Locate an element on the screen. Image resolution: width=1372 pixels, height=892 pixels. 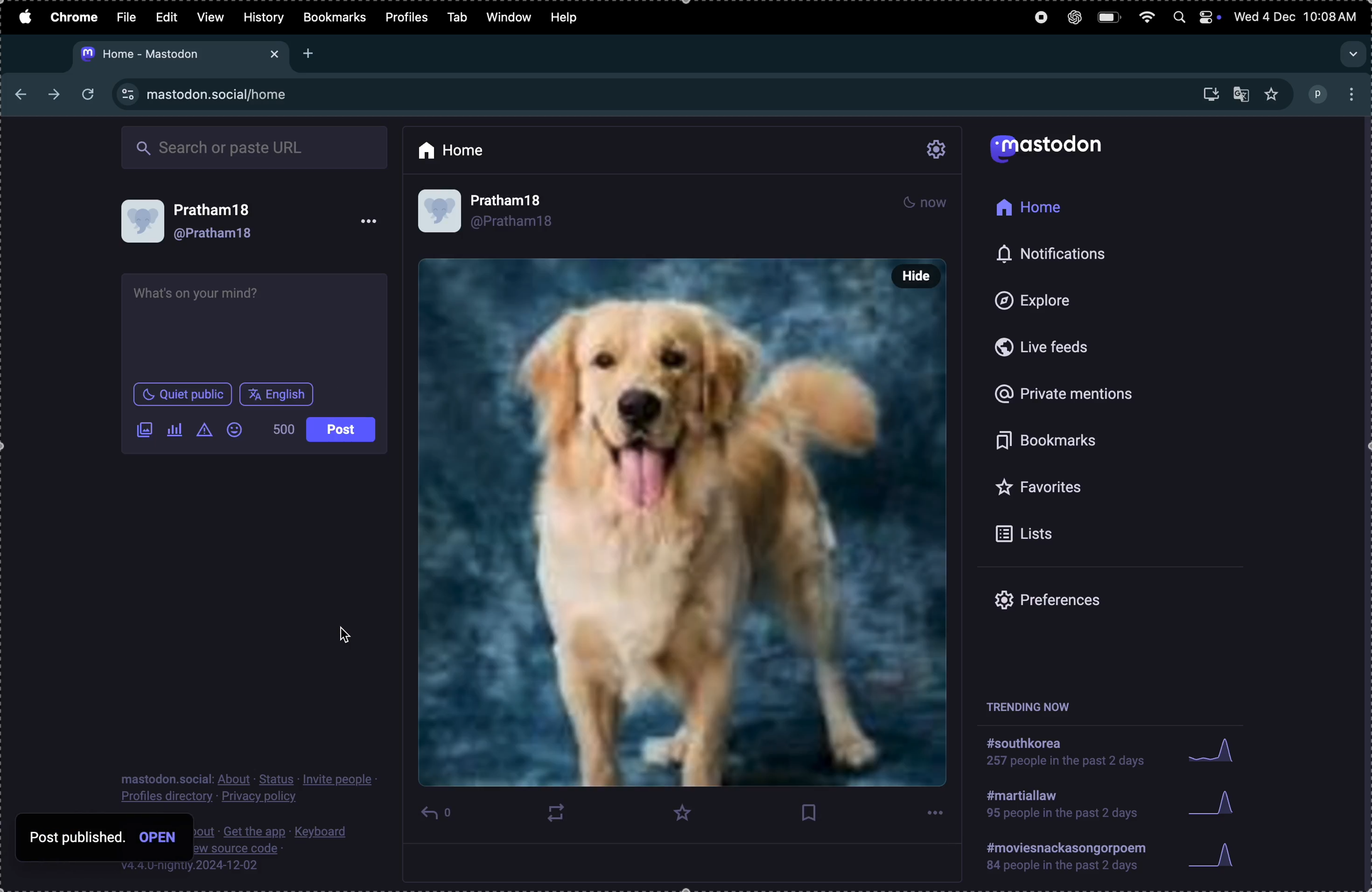
wifi is located at coordinates (1145, 17).